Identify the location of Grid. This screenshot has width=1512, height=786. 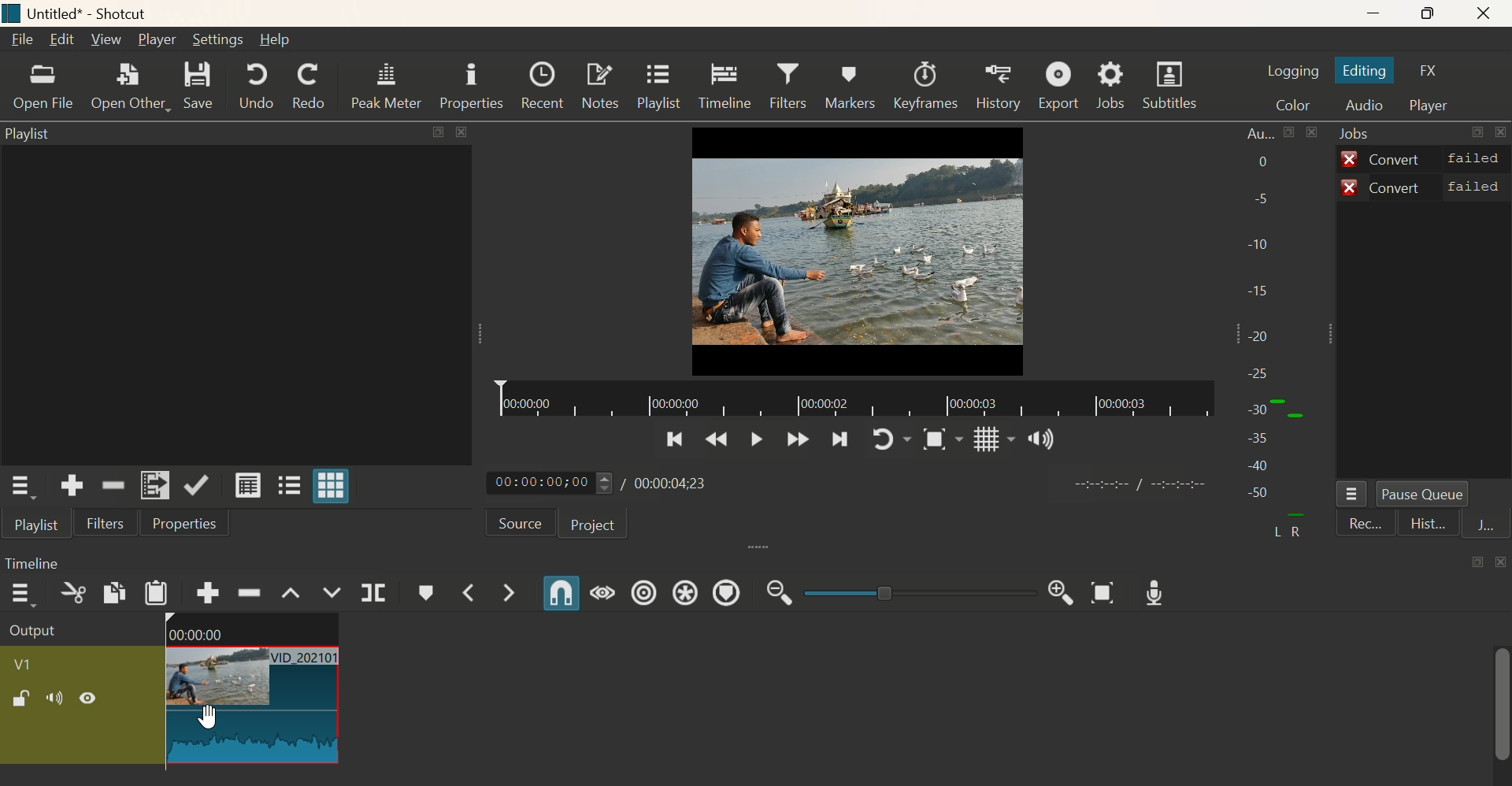
(985, 442).